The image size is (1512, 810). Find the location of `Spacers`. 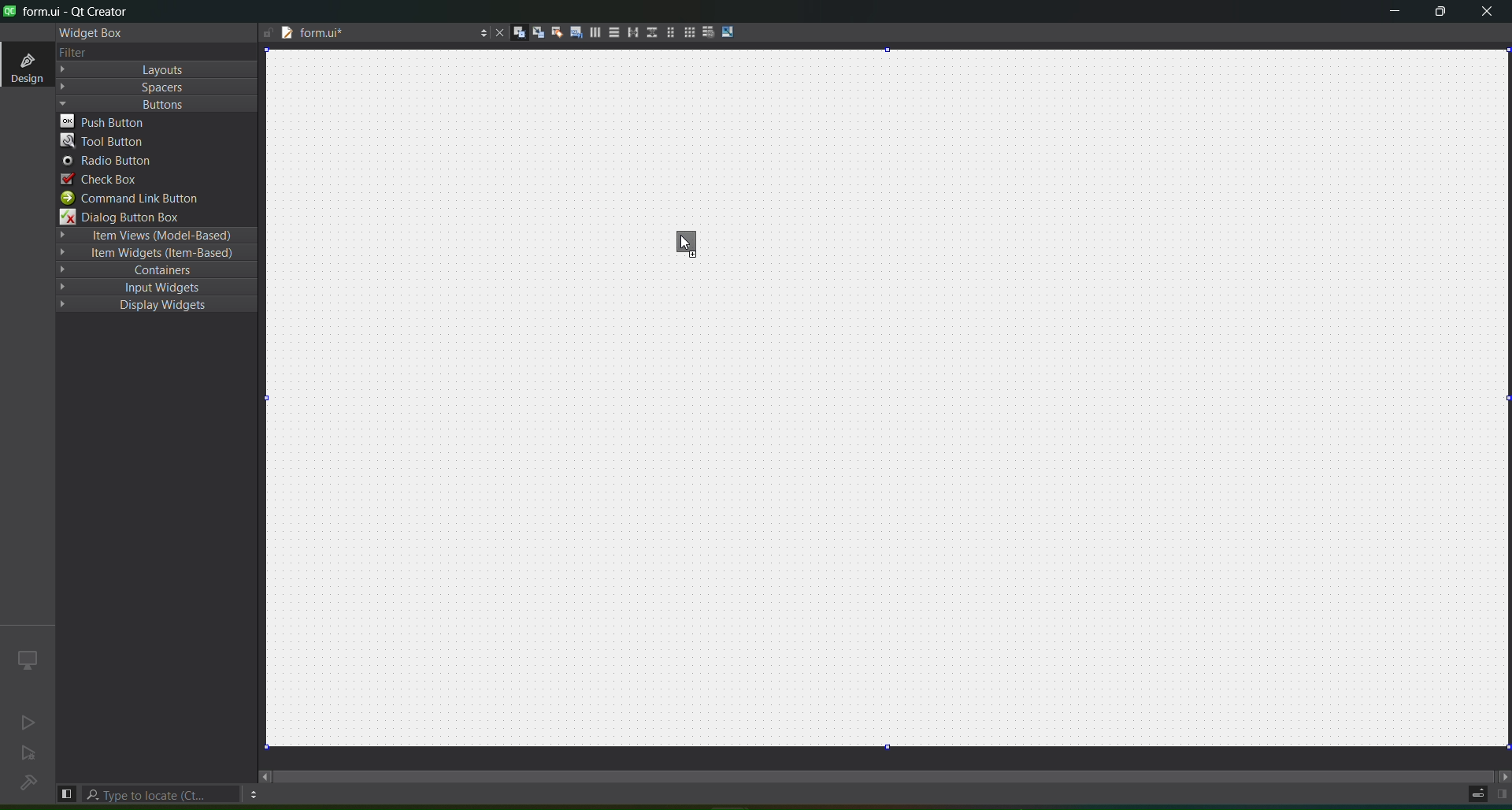

Spacers is located at coordinates (158, 87).